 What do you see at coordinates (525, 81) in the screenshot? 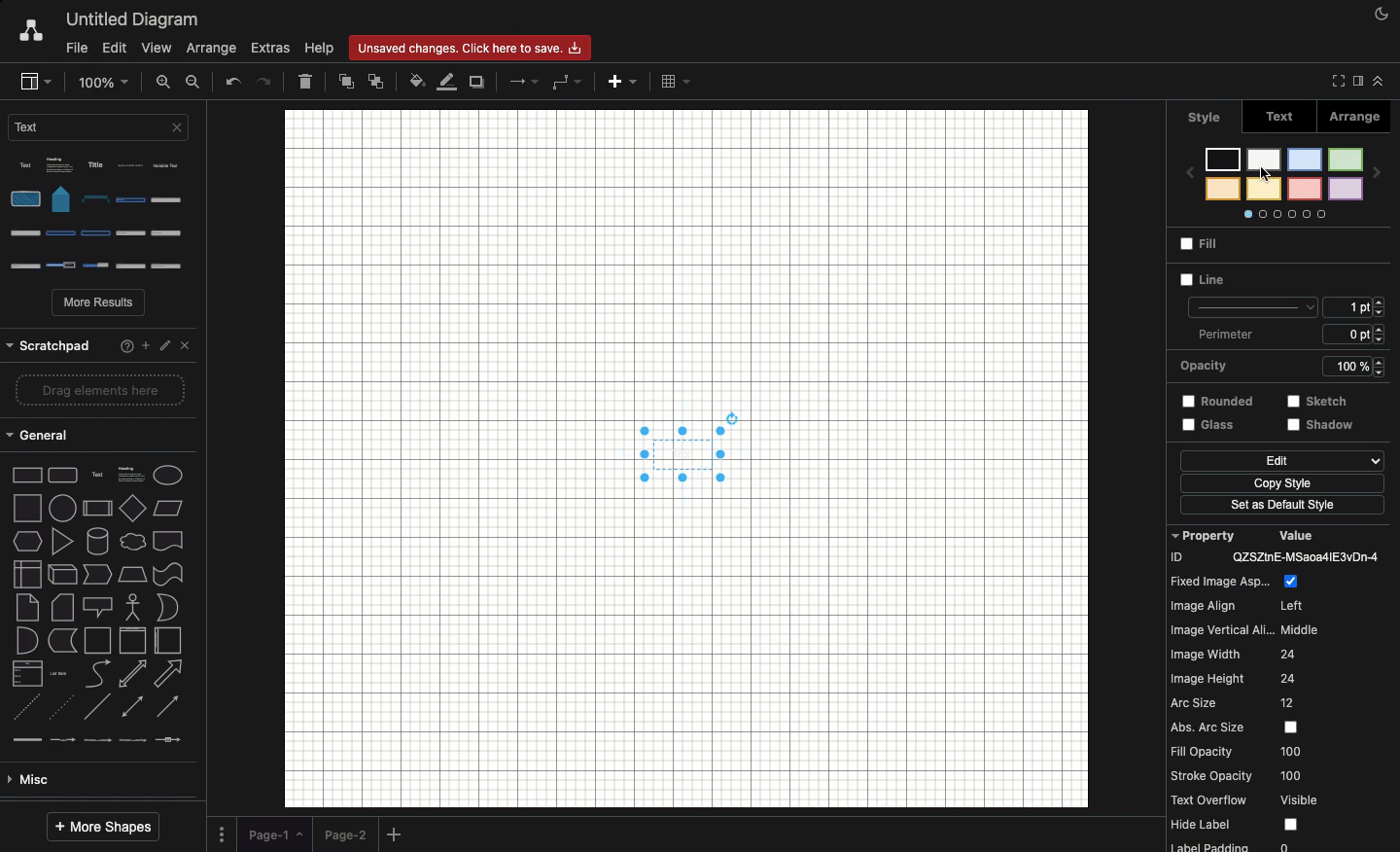
I see `Arrow` at bounding box center [525, 81].